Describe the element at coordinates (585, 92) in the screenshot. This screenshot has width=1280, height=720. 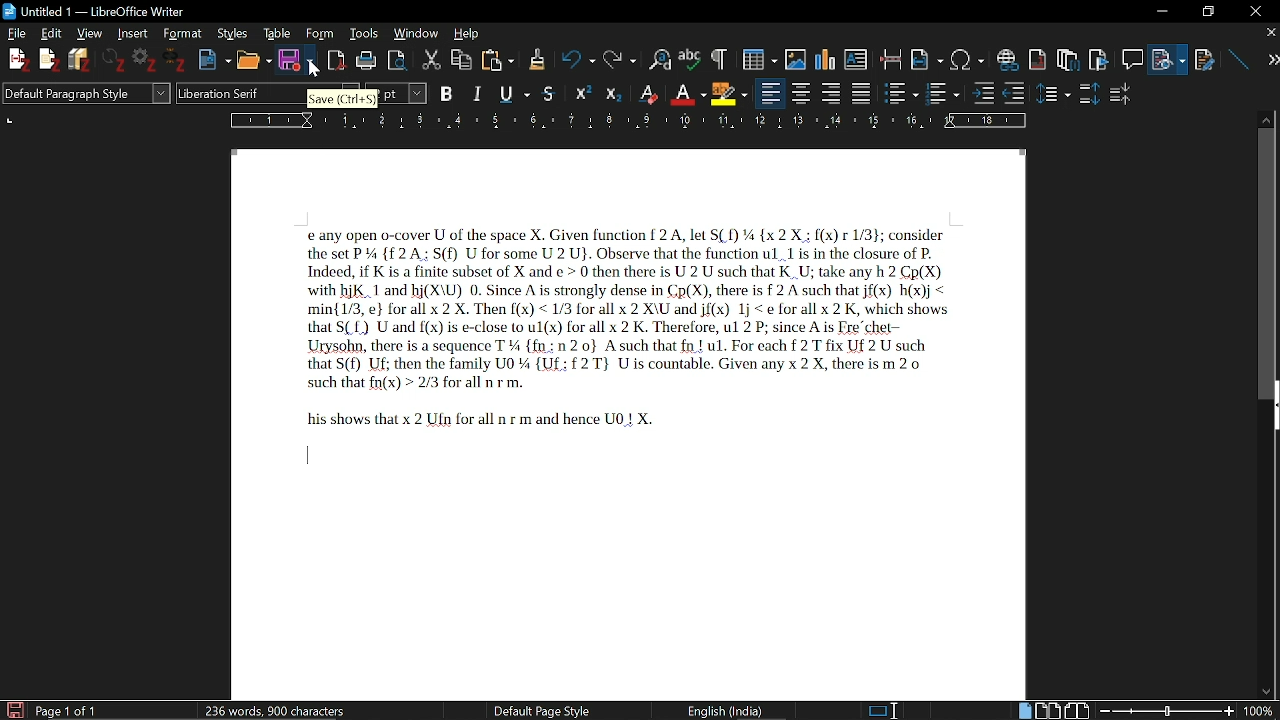
I see `` at that location.